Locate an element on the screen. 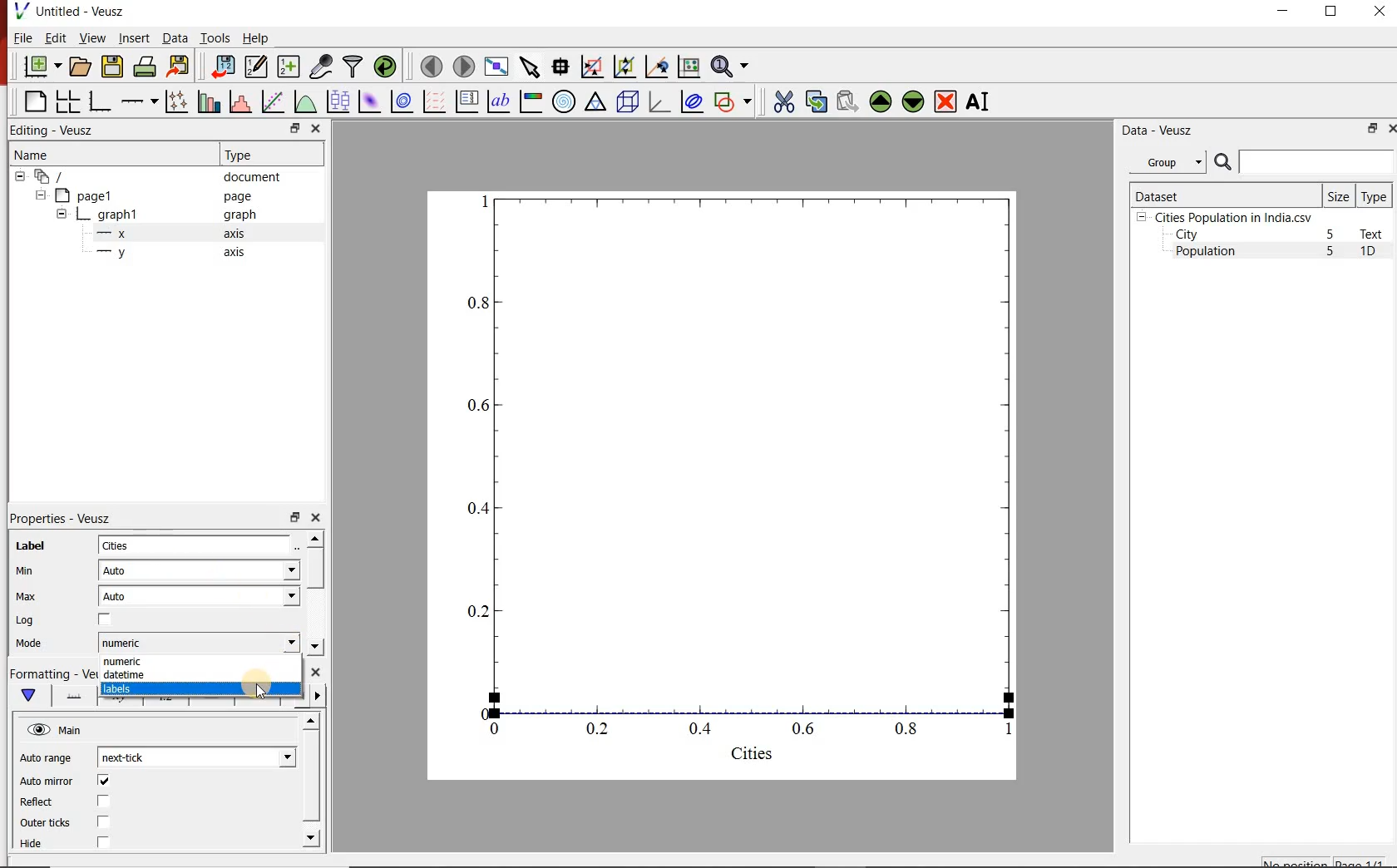 The image size is (1397, 868). Reflect is located at coordinates (42, 801).